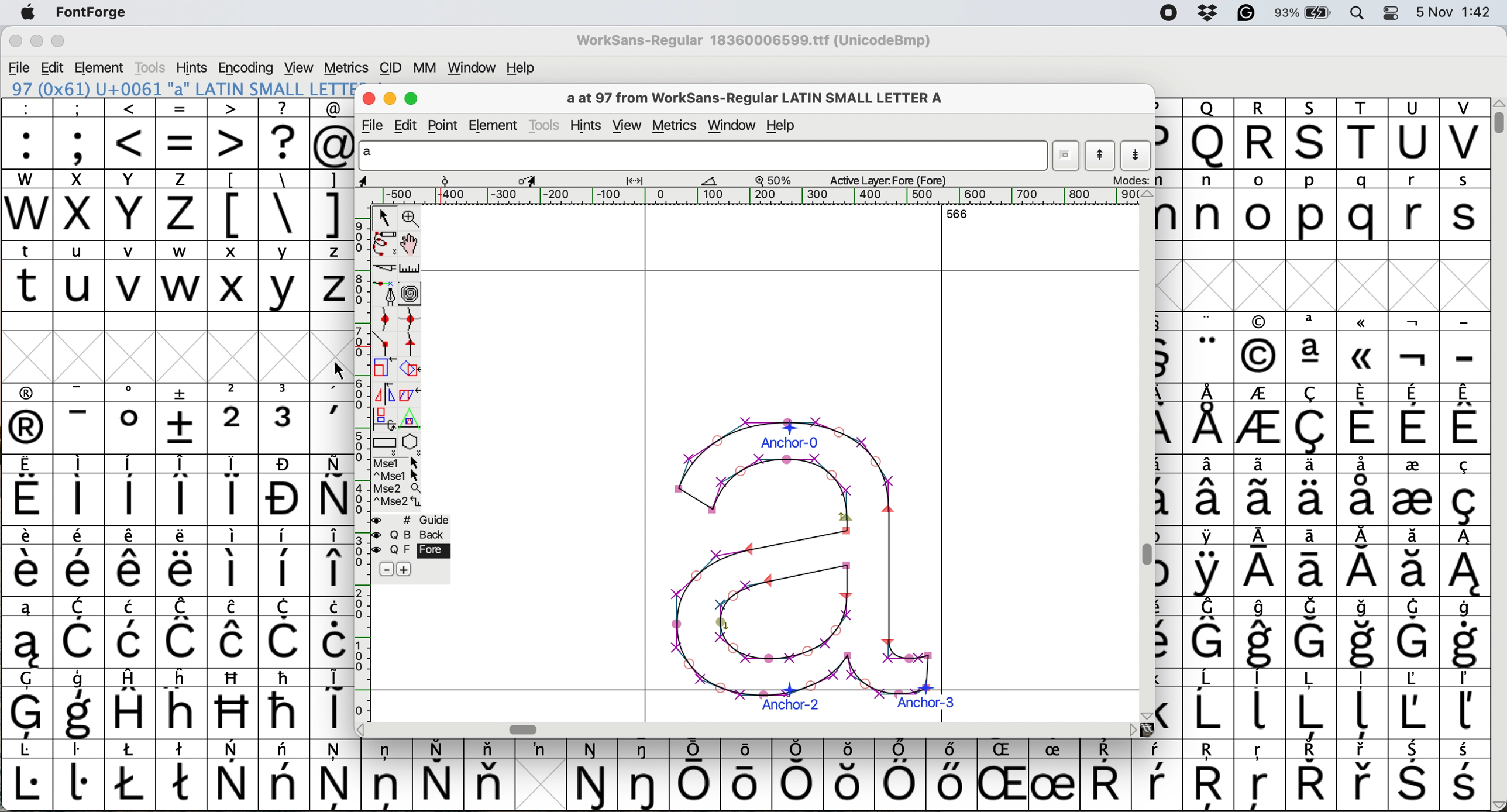  Describe the element at coordinates (383, 242) in the screenshot. I see `draw freehand curve` at that location.